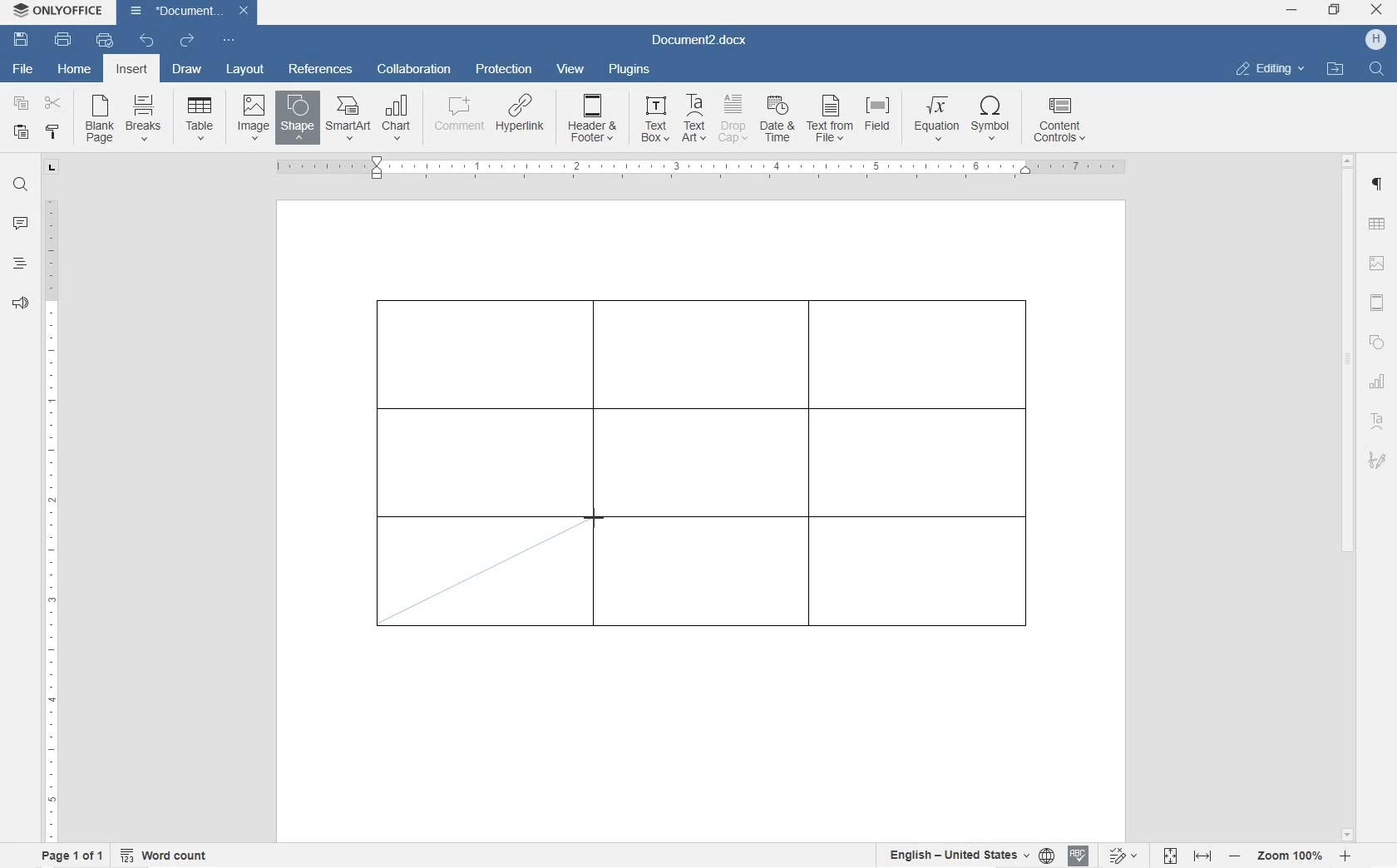 The image size is (1397, 868). I want to click on paste, so click(22, 132).